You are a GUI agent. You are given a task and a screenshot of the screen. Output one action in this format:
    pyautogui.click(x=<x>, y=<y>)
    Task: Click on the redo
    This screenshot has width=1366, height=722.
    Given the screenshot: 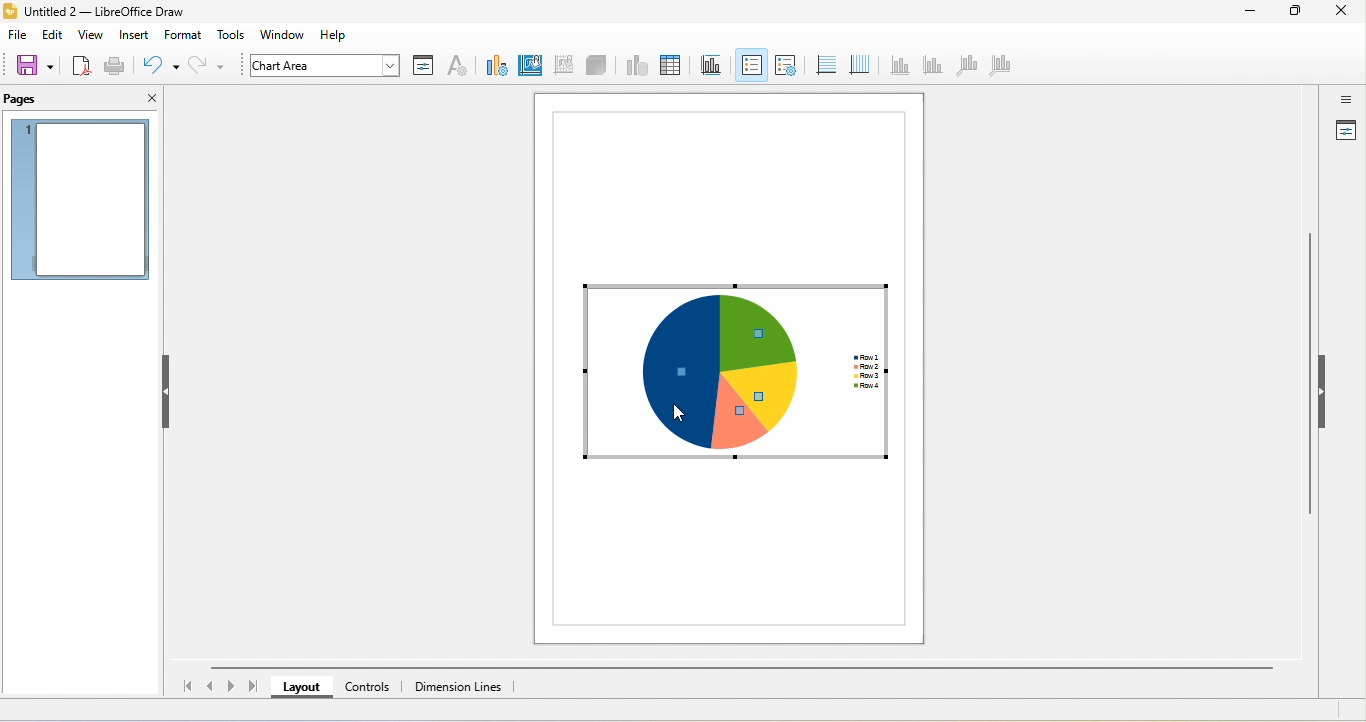 What is the action you would take?
    pyautogui.click(x=210, y=66)
    